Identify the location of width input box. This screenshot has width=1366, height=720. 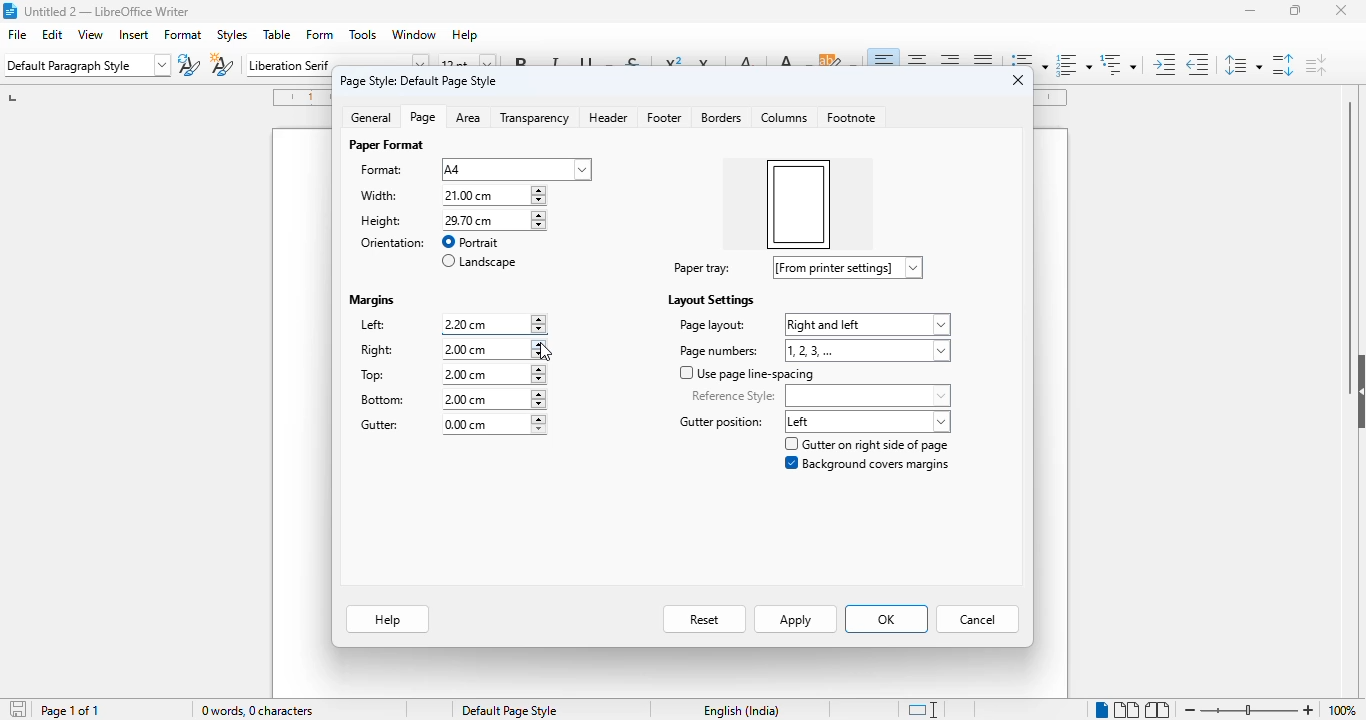
(479, 197).